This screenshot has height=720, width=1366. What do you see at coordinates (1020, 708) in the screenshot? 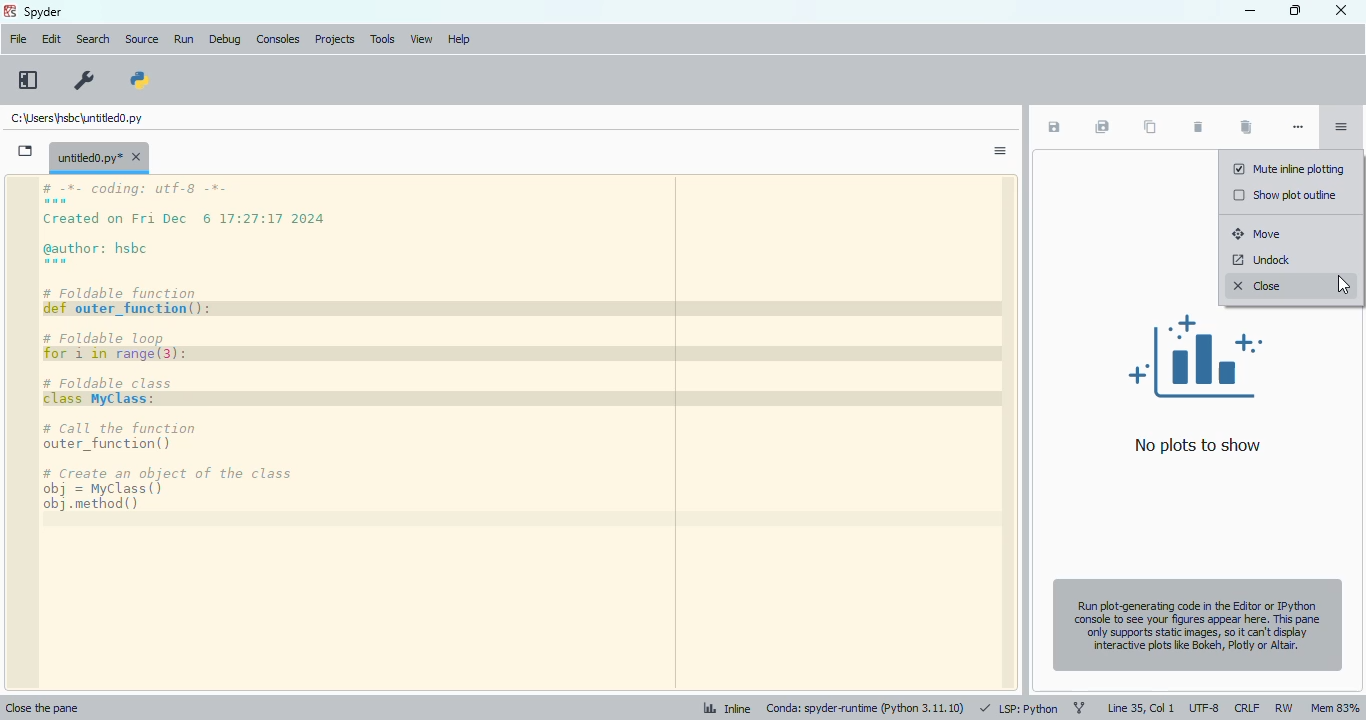
I see `LSP: python` at bounding box center [1020, 708].